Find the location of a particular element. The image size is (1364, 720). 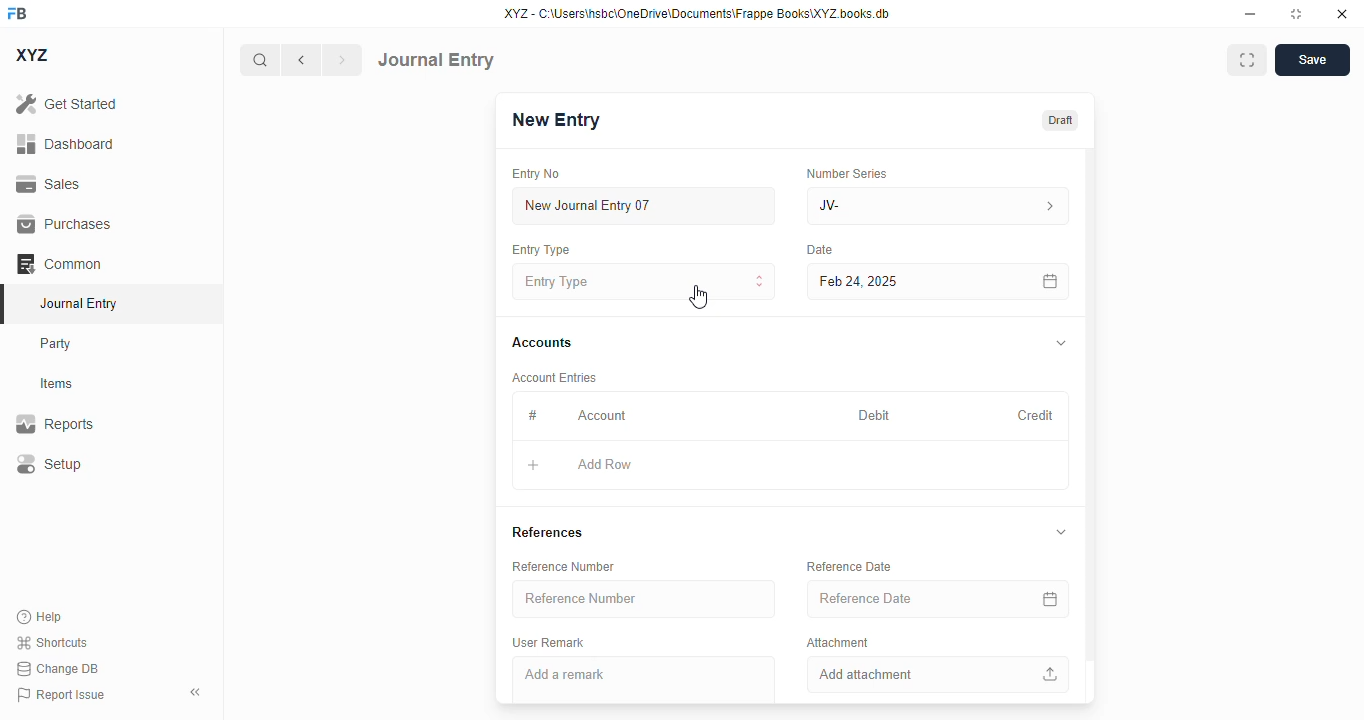

# is located at coordinates (531, 415).